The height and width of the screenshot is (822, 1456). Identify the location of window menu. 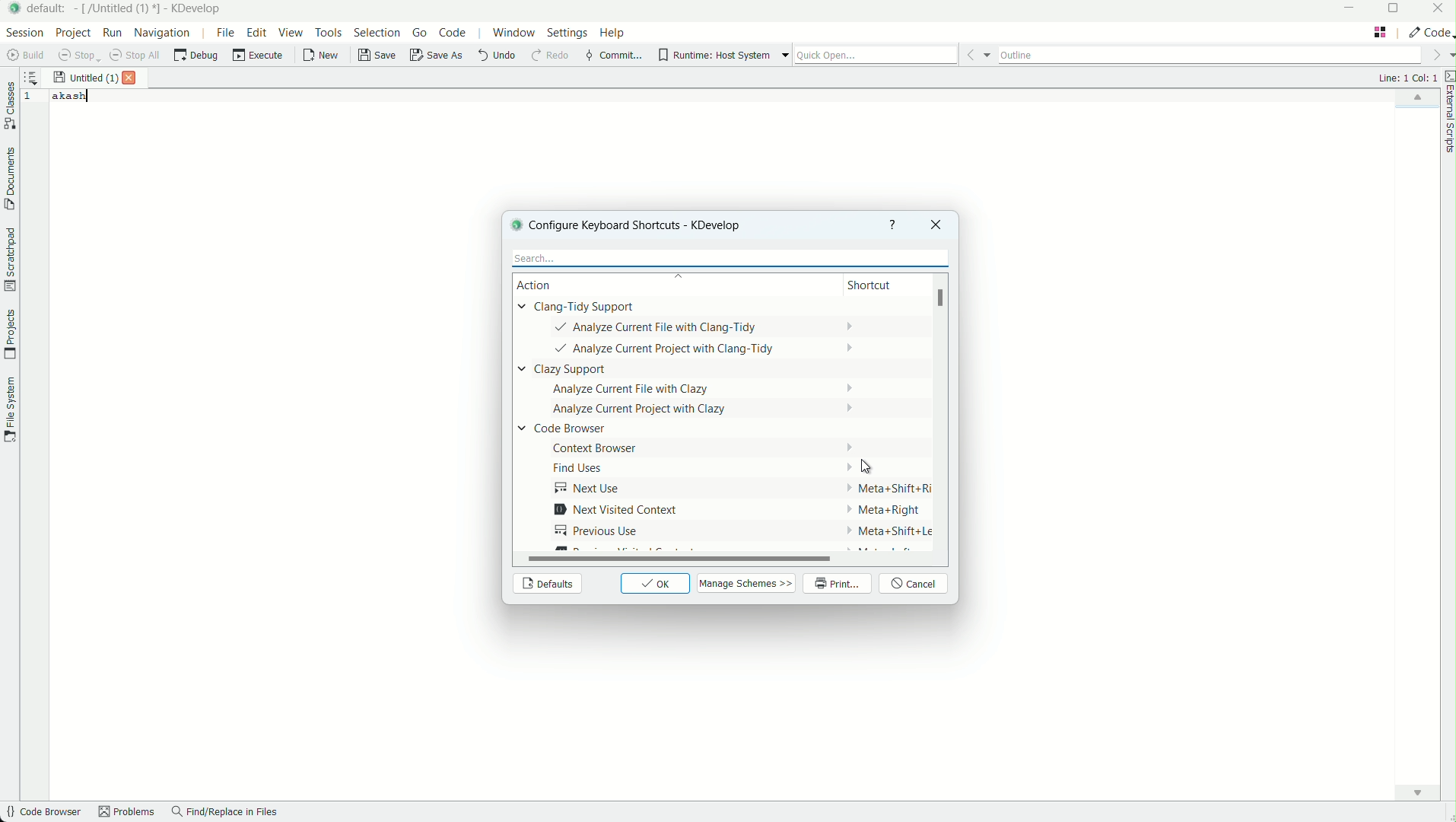
(513, 35).